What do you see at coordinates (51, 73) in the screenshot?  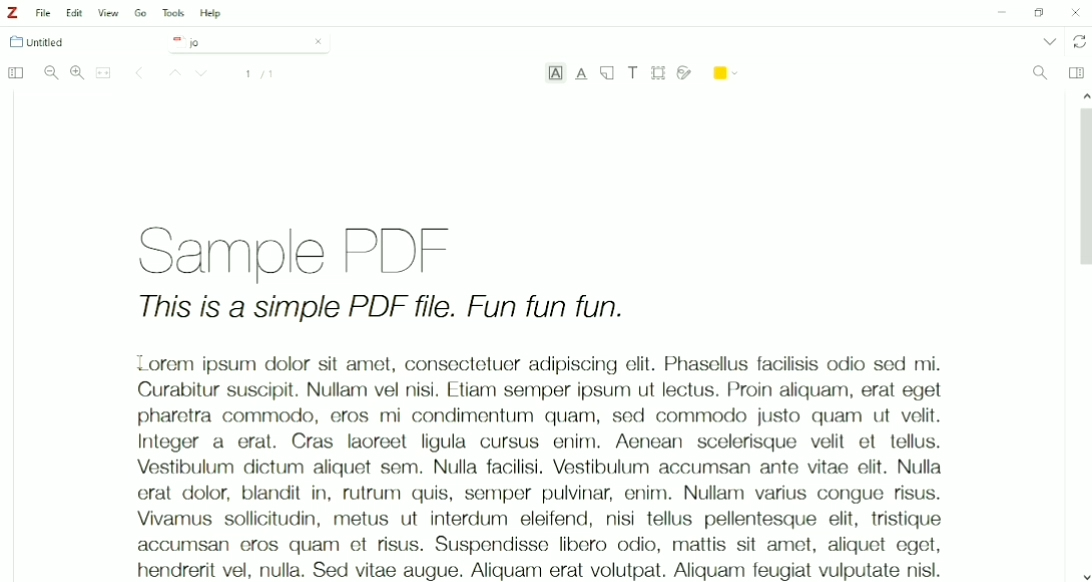 I see `Zoom Out` at bounding box center [51, 73].